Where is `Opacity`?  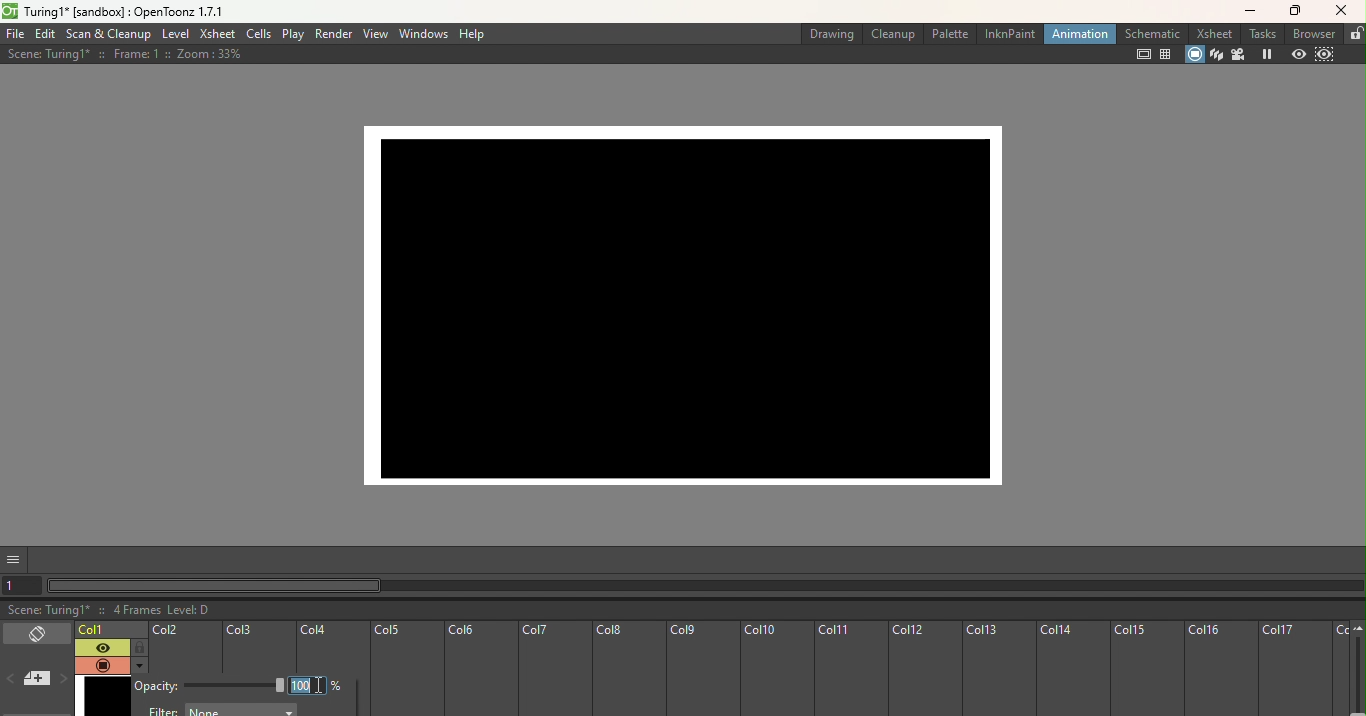
Opacity is located at coordinates (210, 686).